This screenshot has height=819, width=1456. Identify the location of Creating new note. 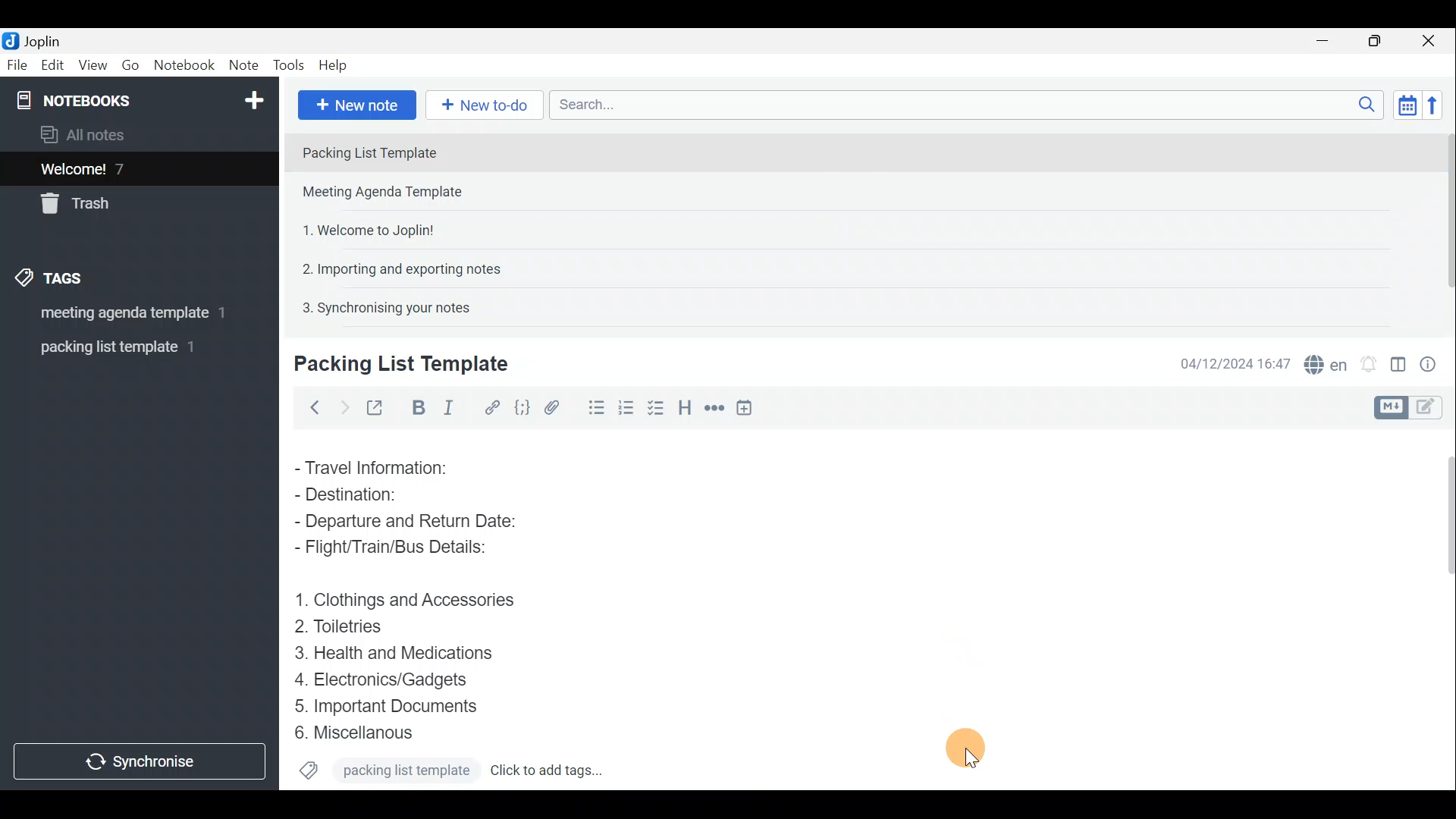
(392, 365).